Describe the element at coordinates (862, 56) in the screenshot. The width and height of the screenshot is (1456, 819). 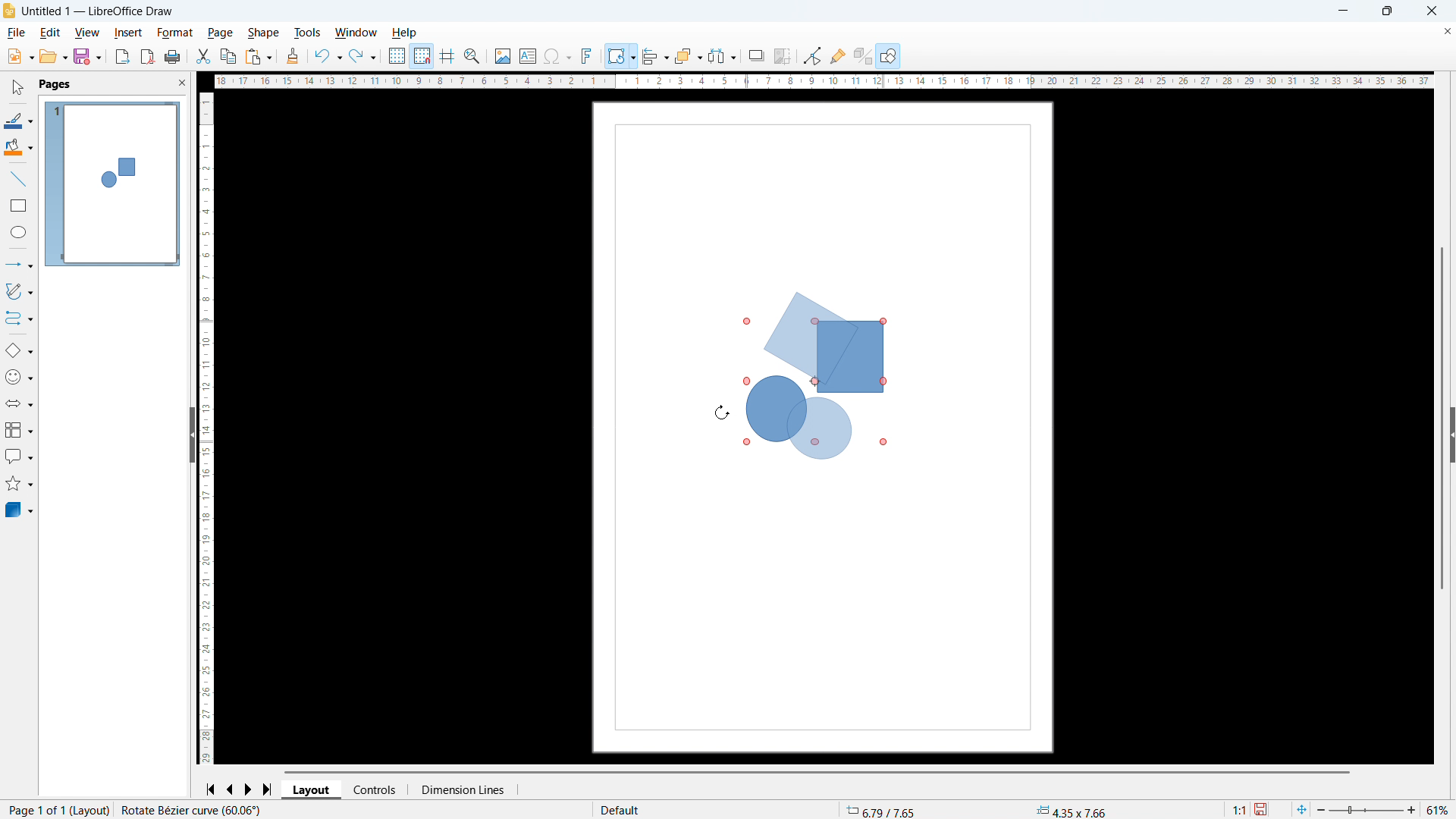
I see `Google extrusion ` at that location.